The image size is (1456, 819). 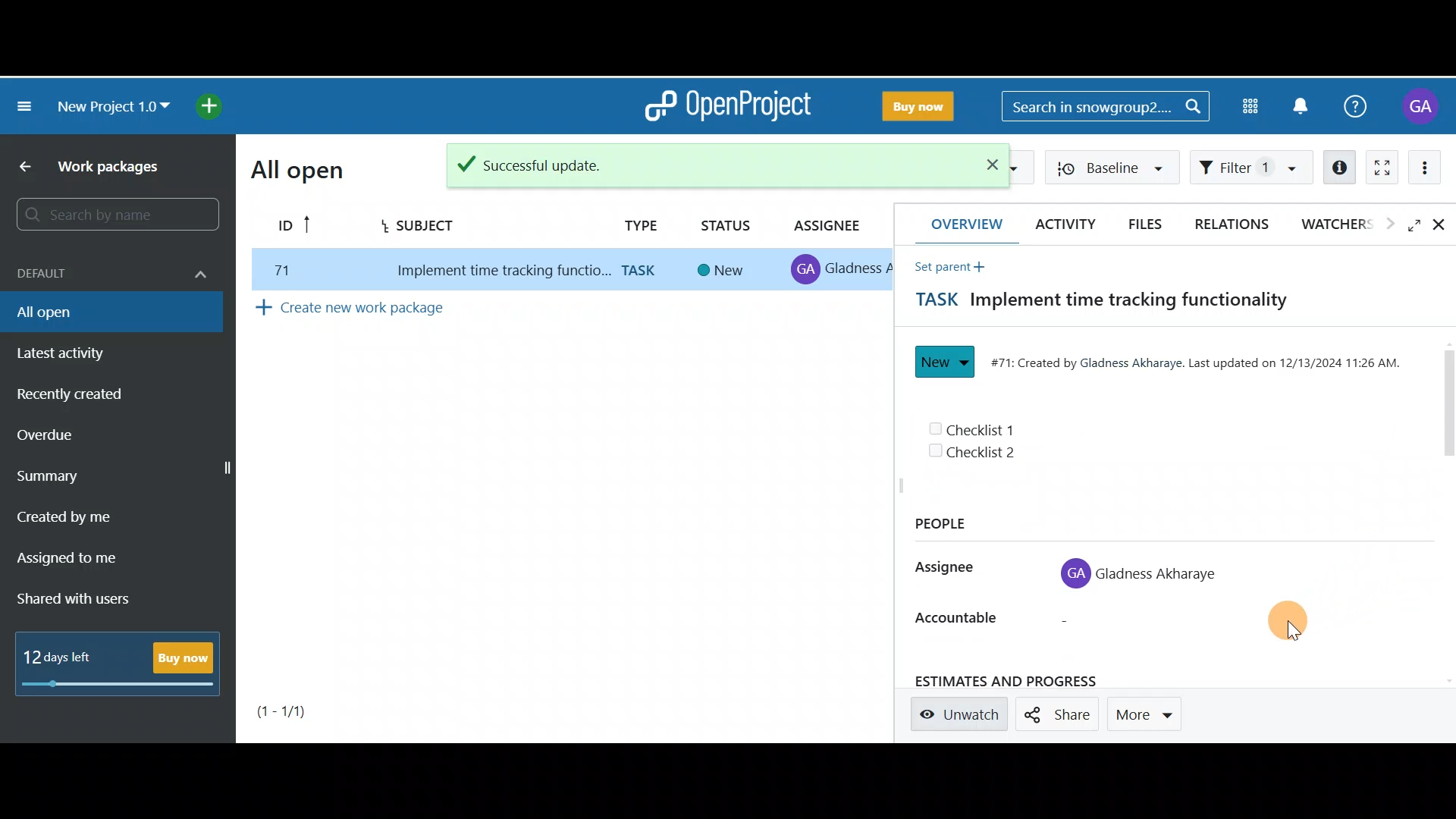 What do you see at coordinates (1447, 394) in the screenshot?
I see `Scroll bar` at bounding box center [1447, 394].